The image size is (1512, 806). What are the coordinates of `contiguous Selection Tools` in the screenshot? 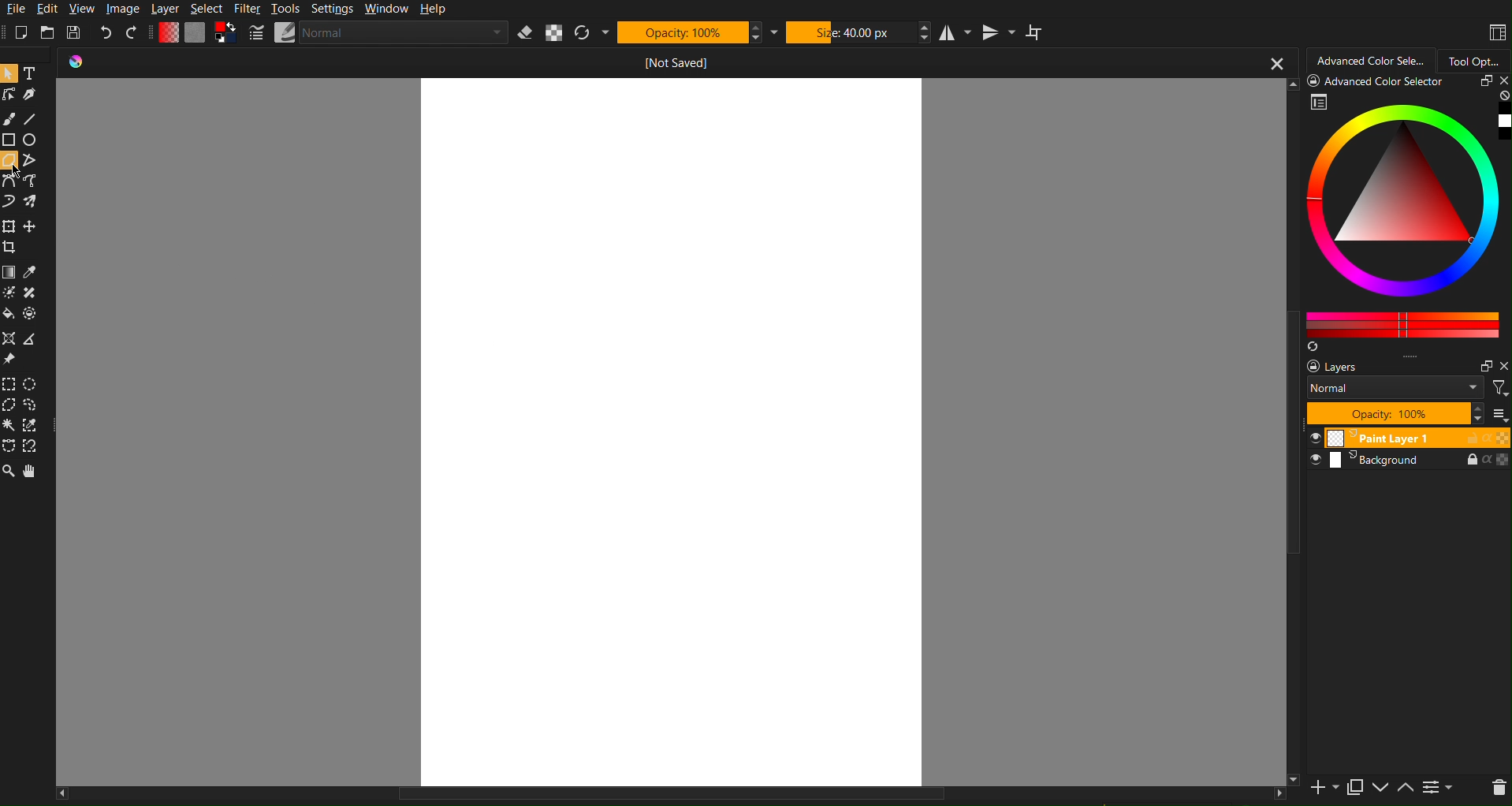 It's located at (9, 424).